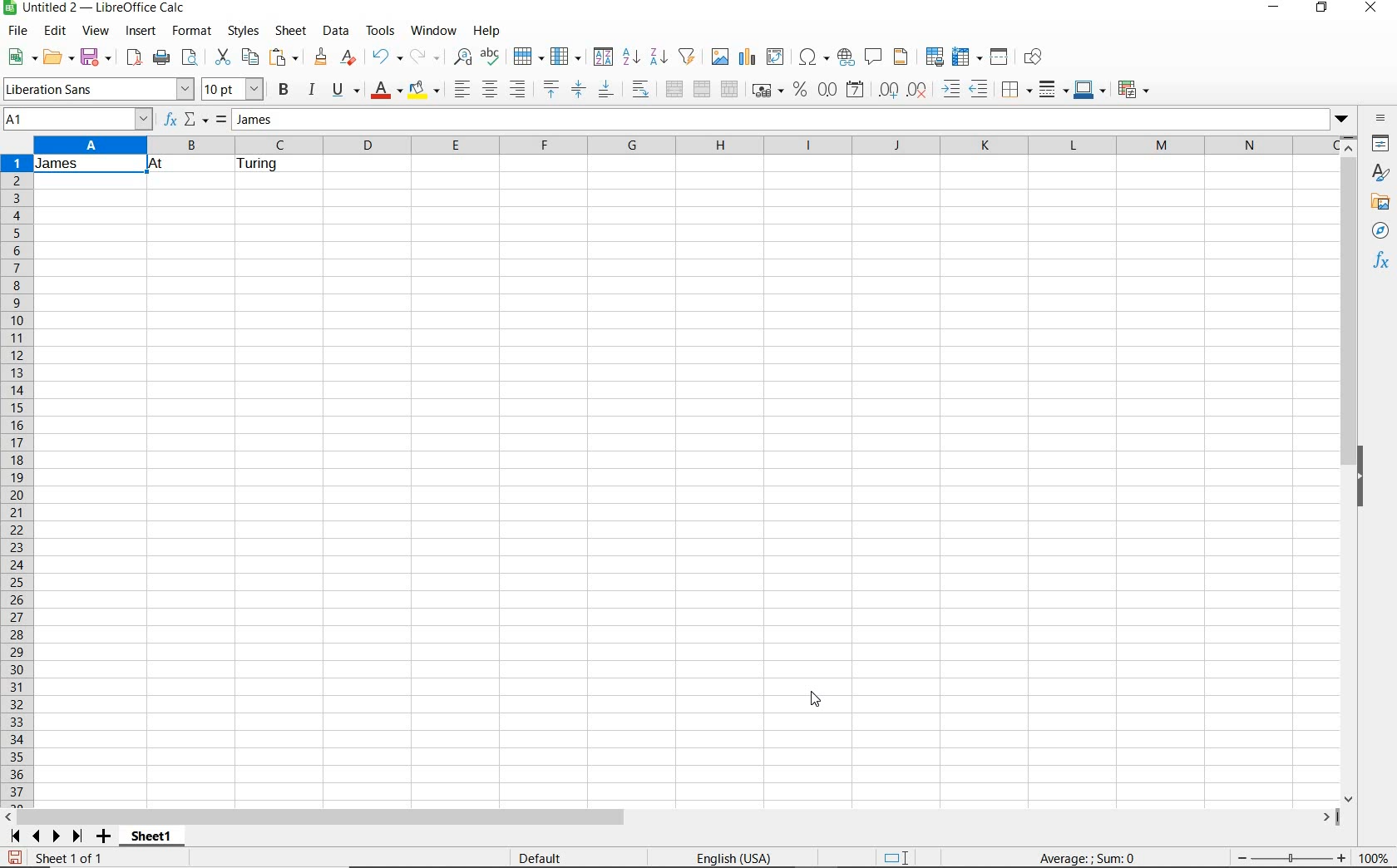  Describe the element at coordinates (386, 57) in the screenshot. I see `undo` at that location.